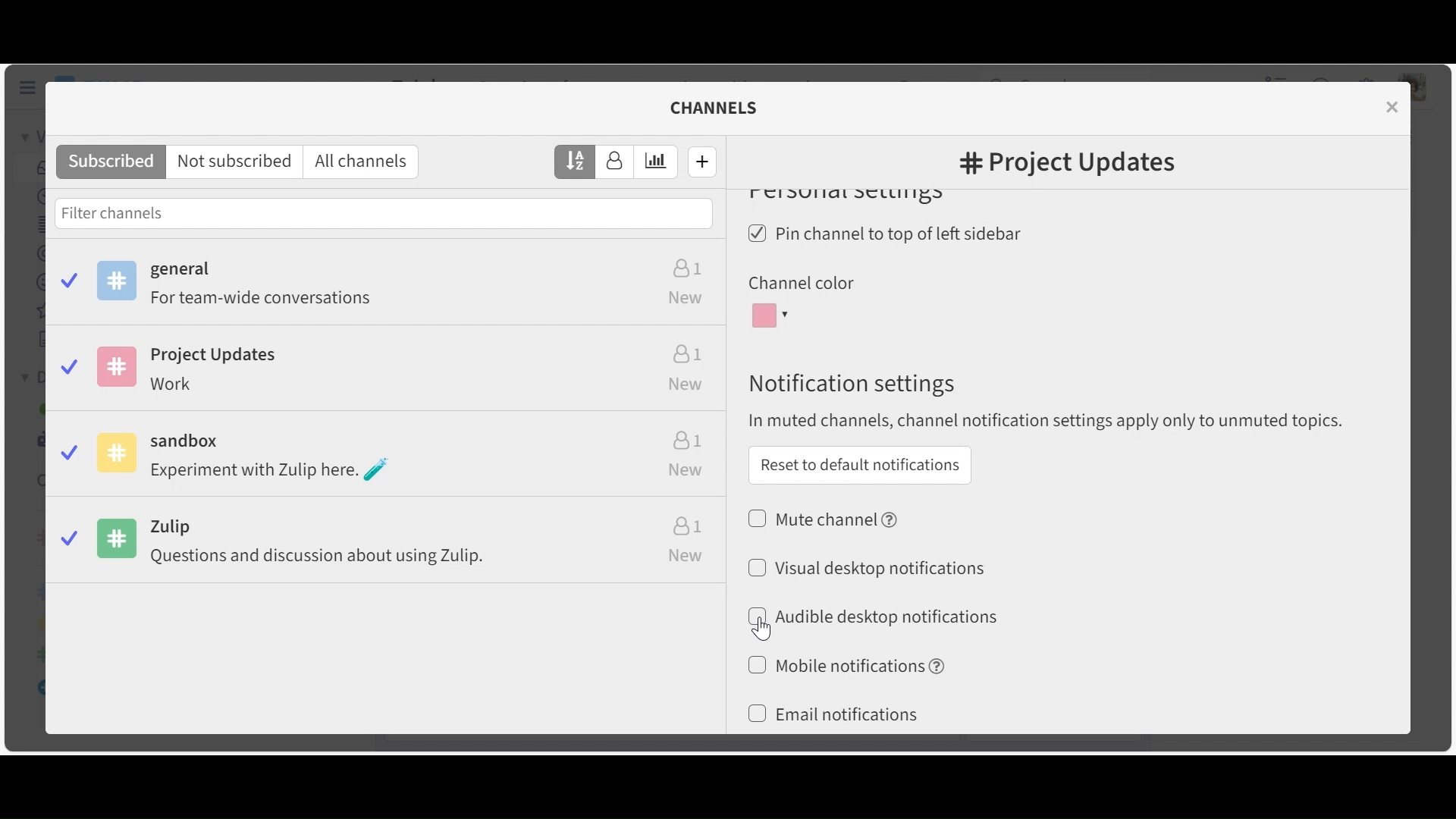  What do you see at coordinates (386, 372) in the screenshot?
I see `Project Updates` at bounding box center [386, 372].